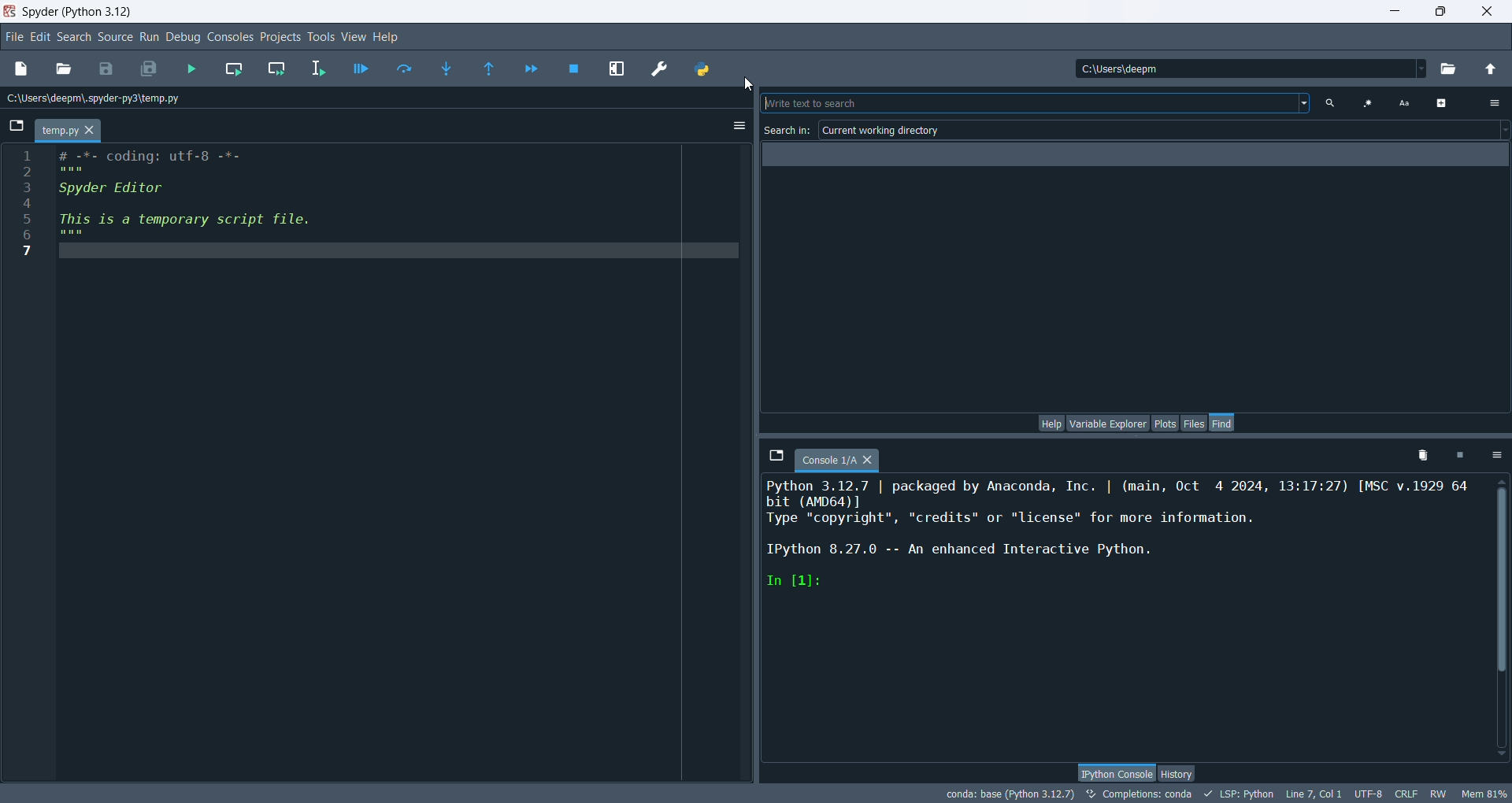 Image resolution: width=1512 pixels, height=803 pixels. Describe the element at coordinates (776, 455) in the screenshot. I see `browse tabs` at that location.